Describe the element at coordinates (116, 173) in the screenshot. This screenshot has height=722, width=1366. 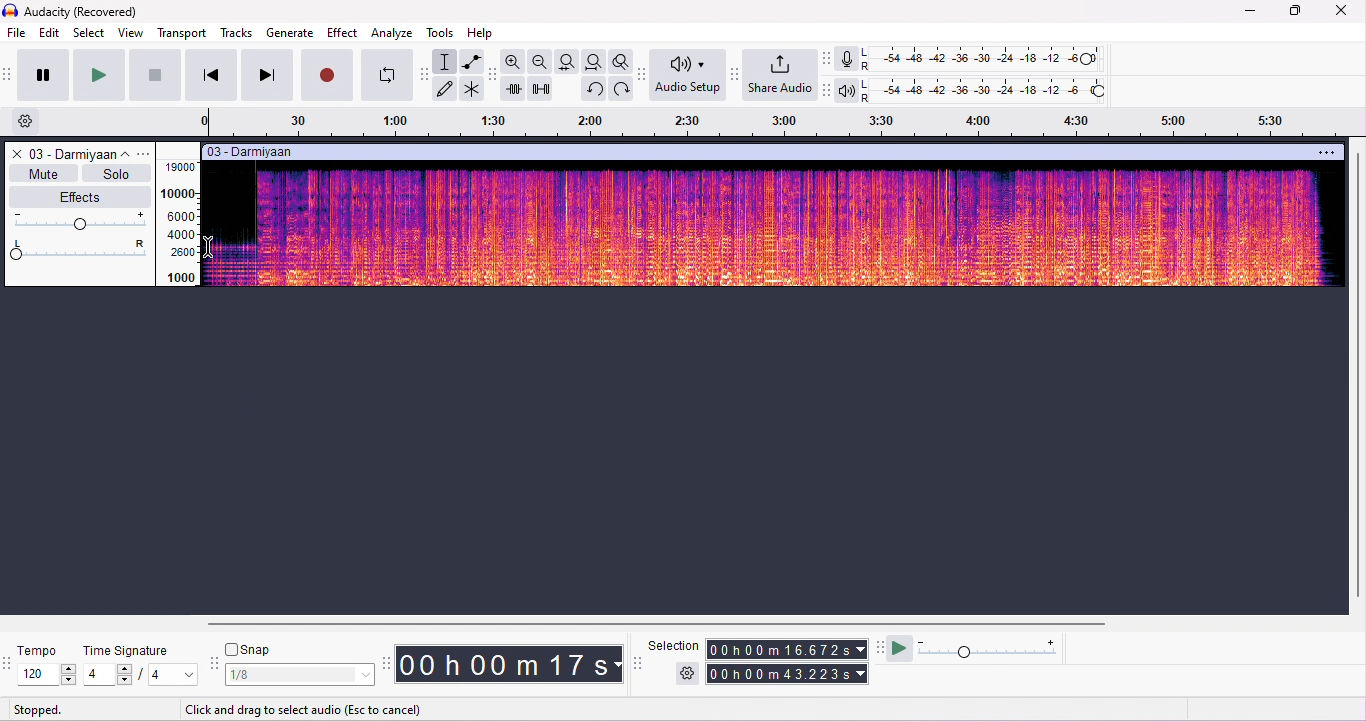
I see `solo` at that location.